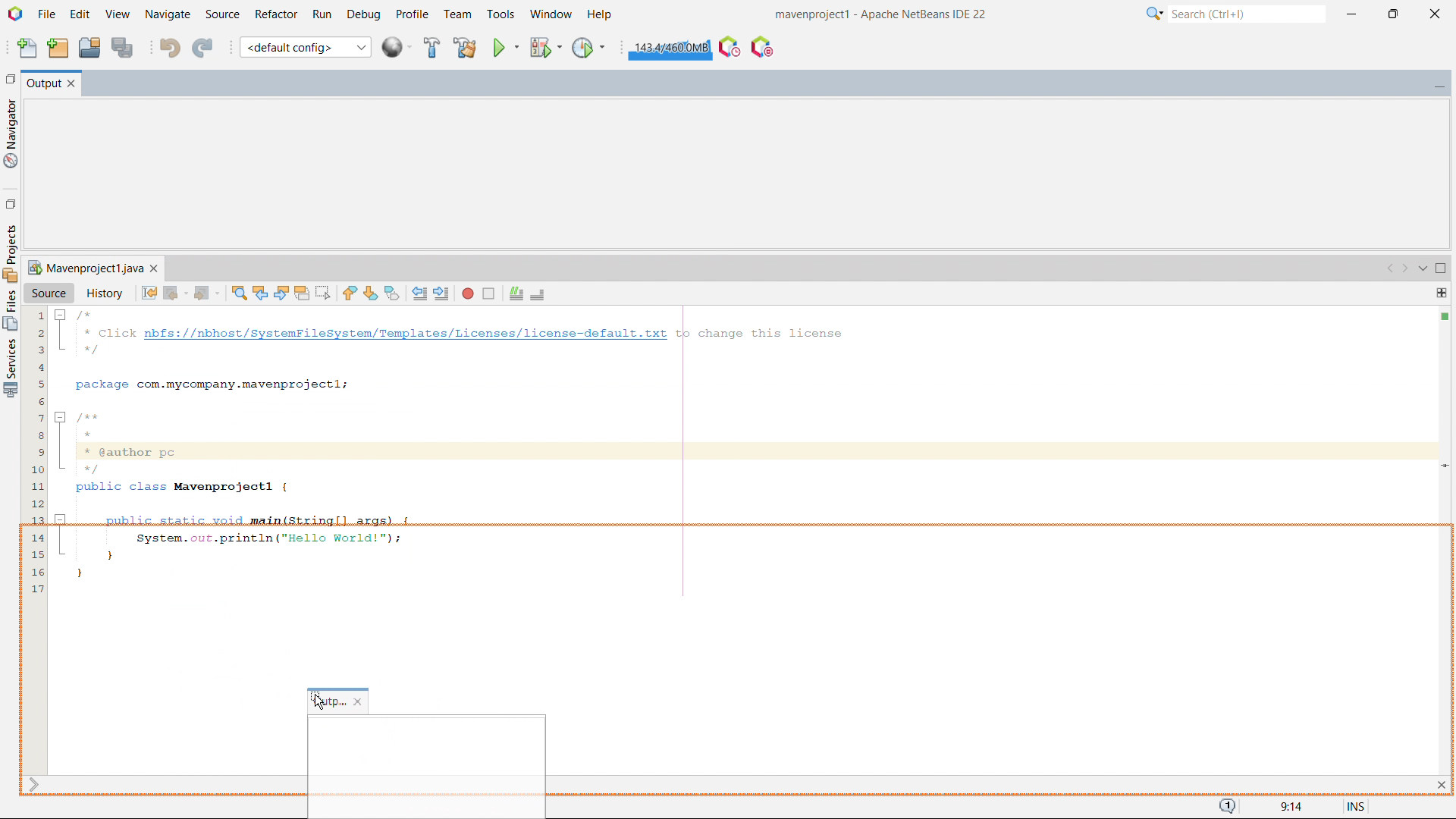 The height and width of the screenshot is (819, 1456). Describe the element at coordinates (551, 14) in the screenshot. I see `window` at that location.